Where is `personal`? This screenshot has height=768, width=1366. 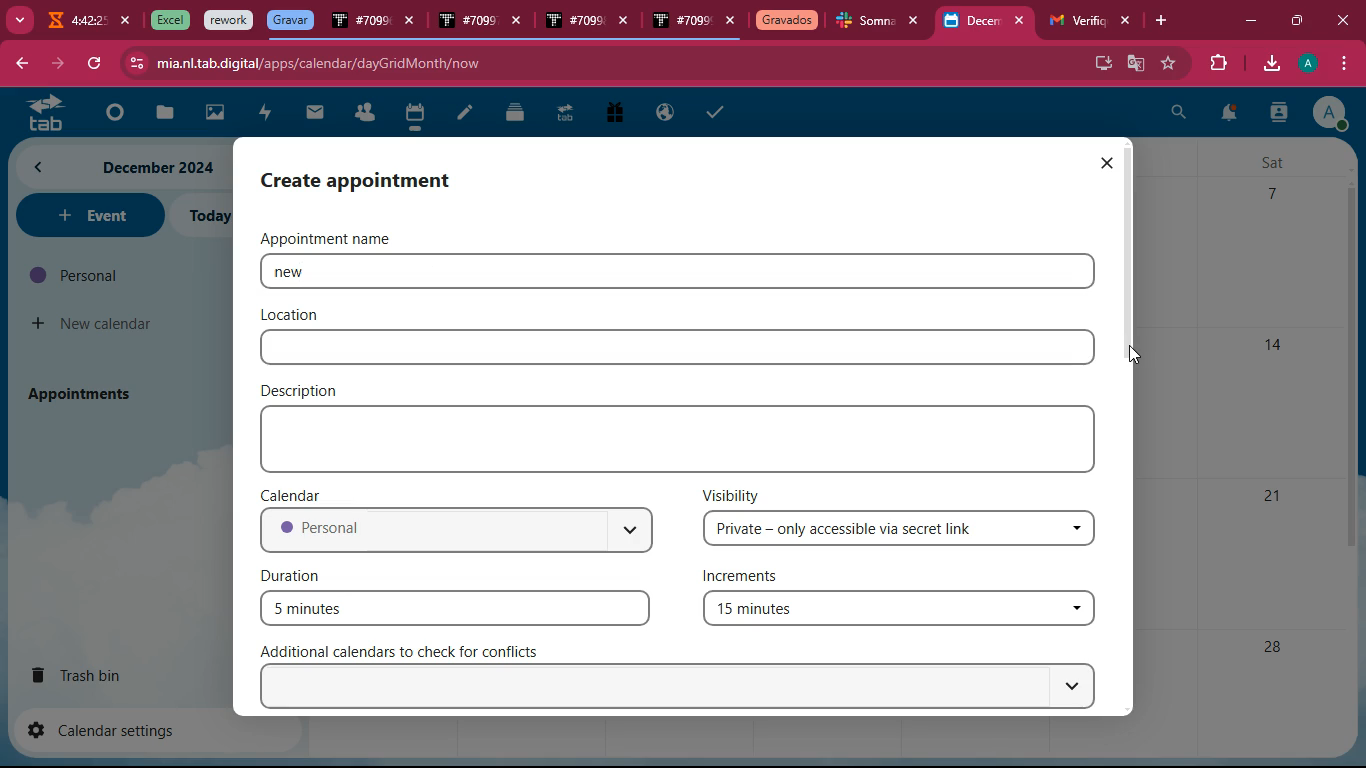
personal is located at coordinates (455, 532).